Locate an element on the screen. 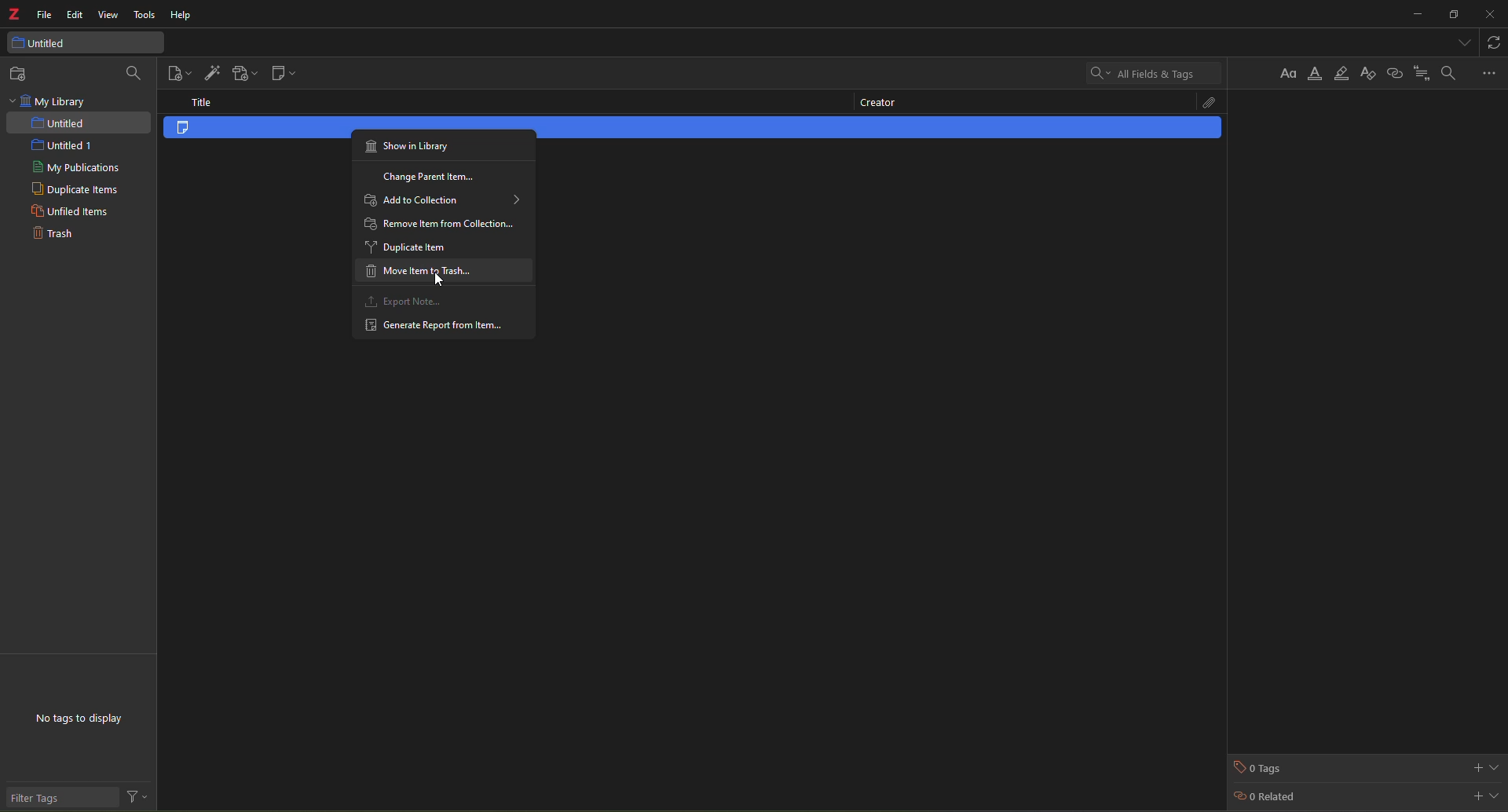 This screenshot has width=1508, height=812. cursor is located at coordinates (444, 282).